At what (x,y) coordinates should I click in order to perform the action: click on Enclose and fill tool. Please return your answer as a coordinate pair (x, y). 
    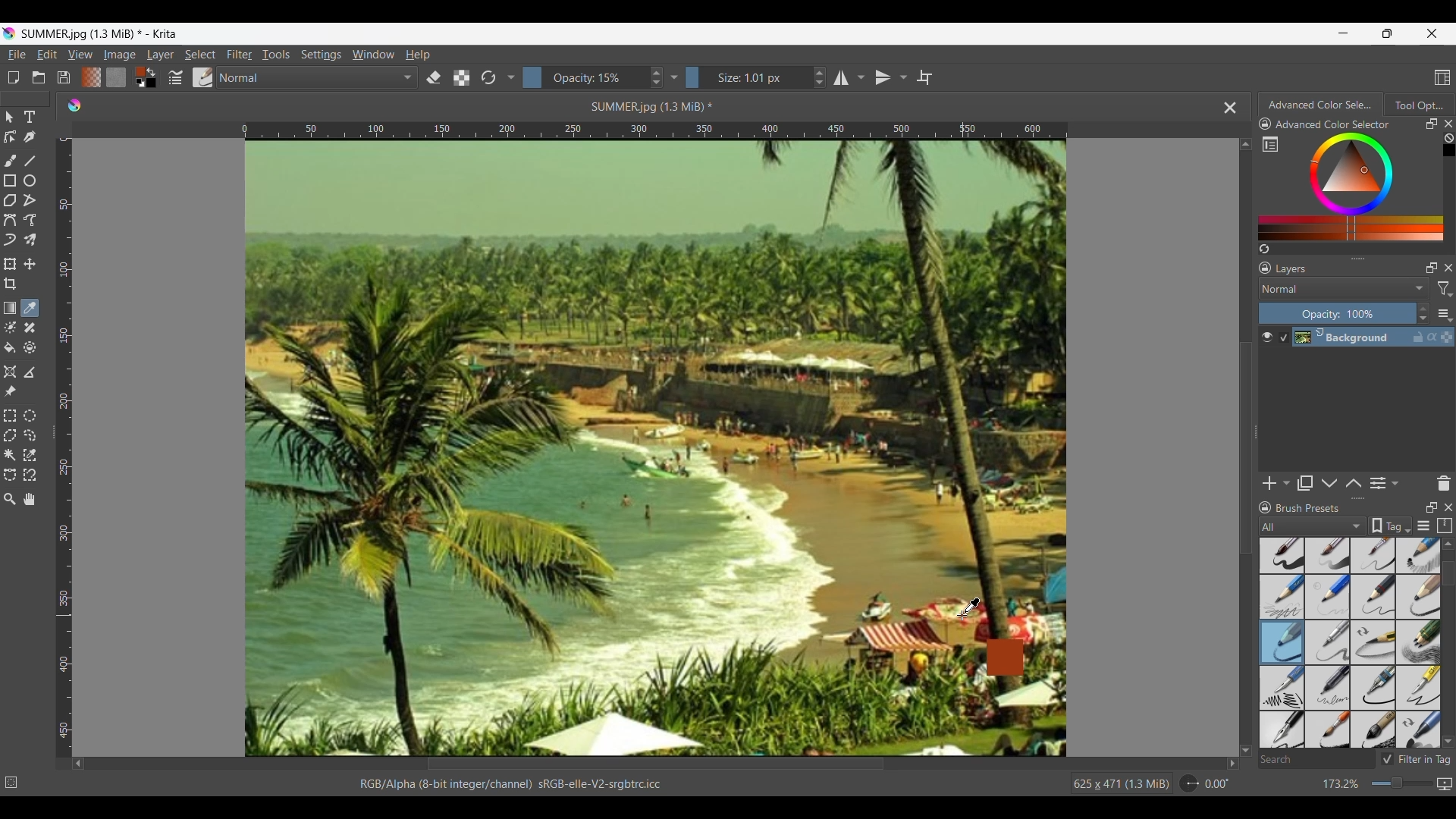
    Looking at the image, I should click on (30, 348).